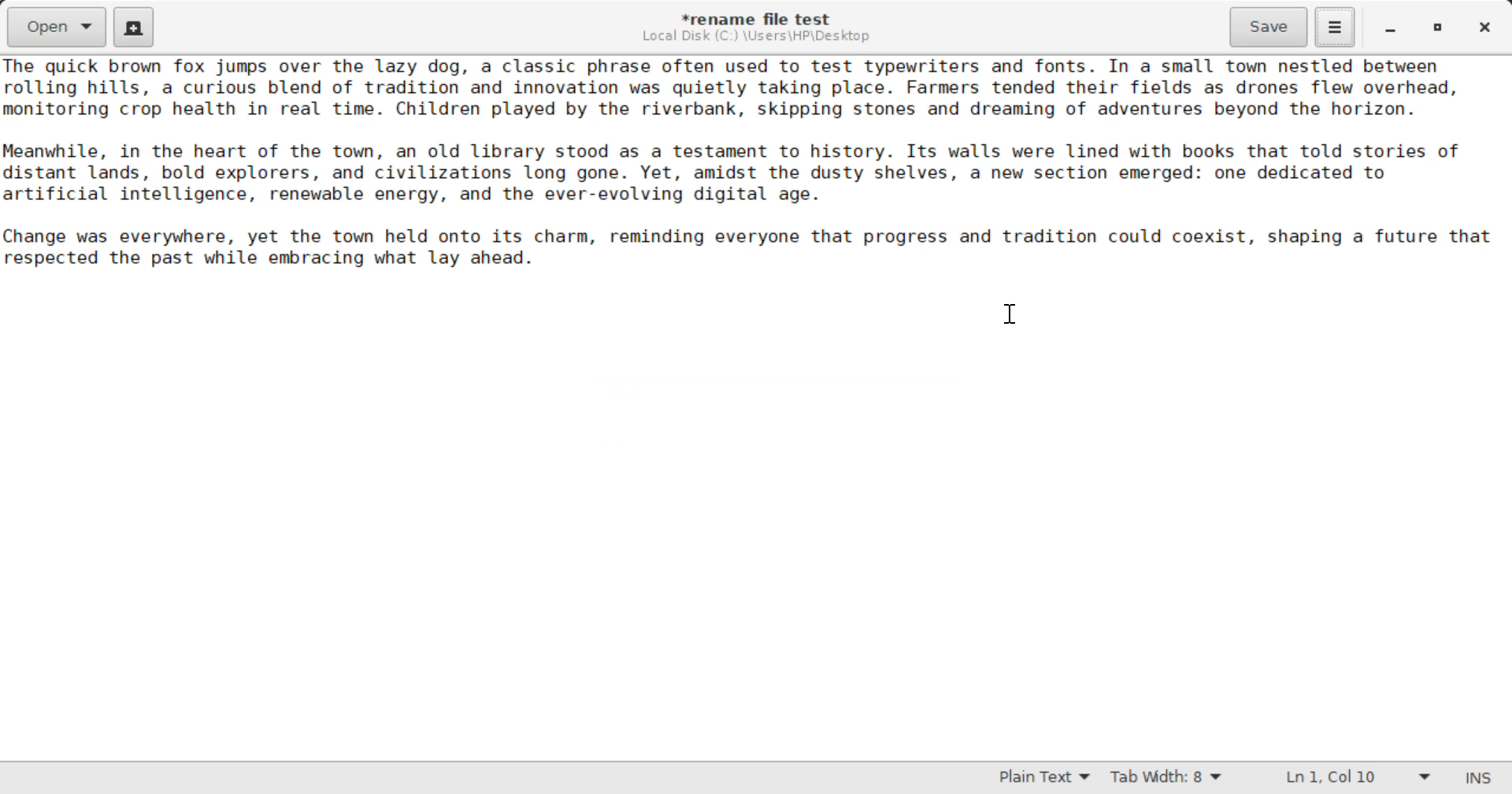 Image resolution: width=1512 pixels, height=794 pixels. What do you see at coordinates (1440, 27) in the screenshot?
I see `Minimize` at bounding box center [1440, 27].